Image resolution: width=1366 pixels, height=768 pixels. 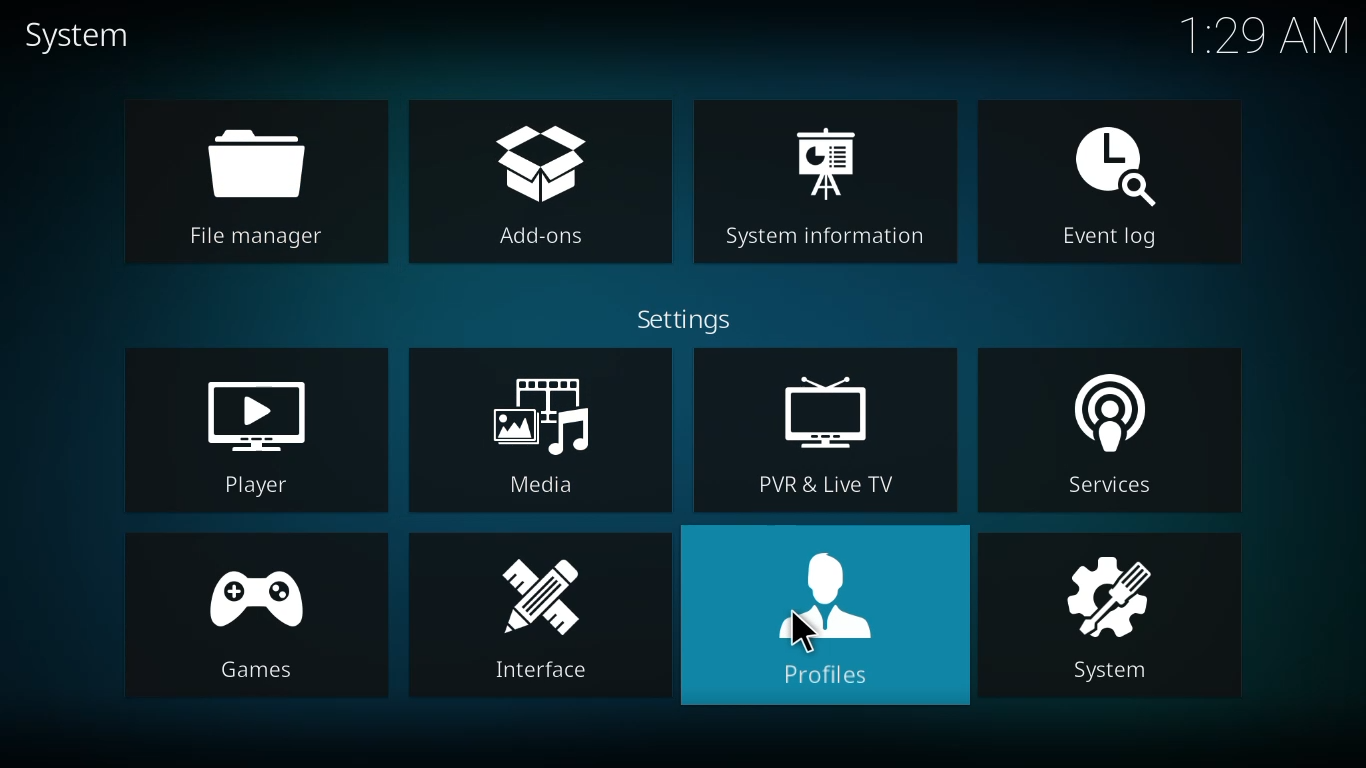 What do you see at coordinates (803, 628) in the screenshot?
I see `cursor` at bounding box center [803, 628].